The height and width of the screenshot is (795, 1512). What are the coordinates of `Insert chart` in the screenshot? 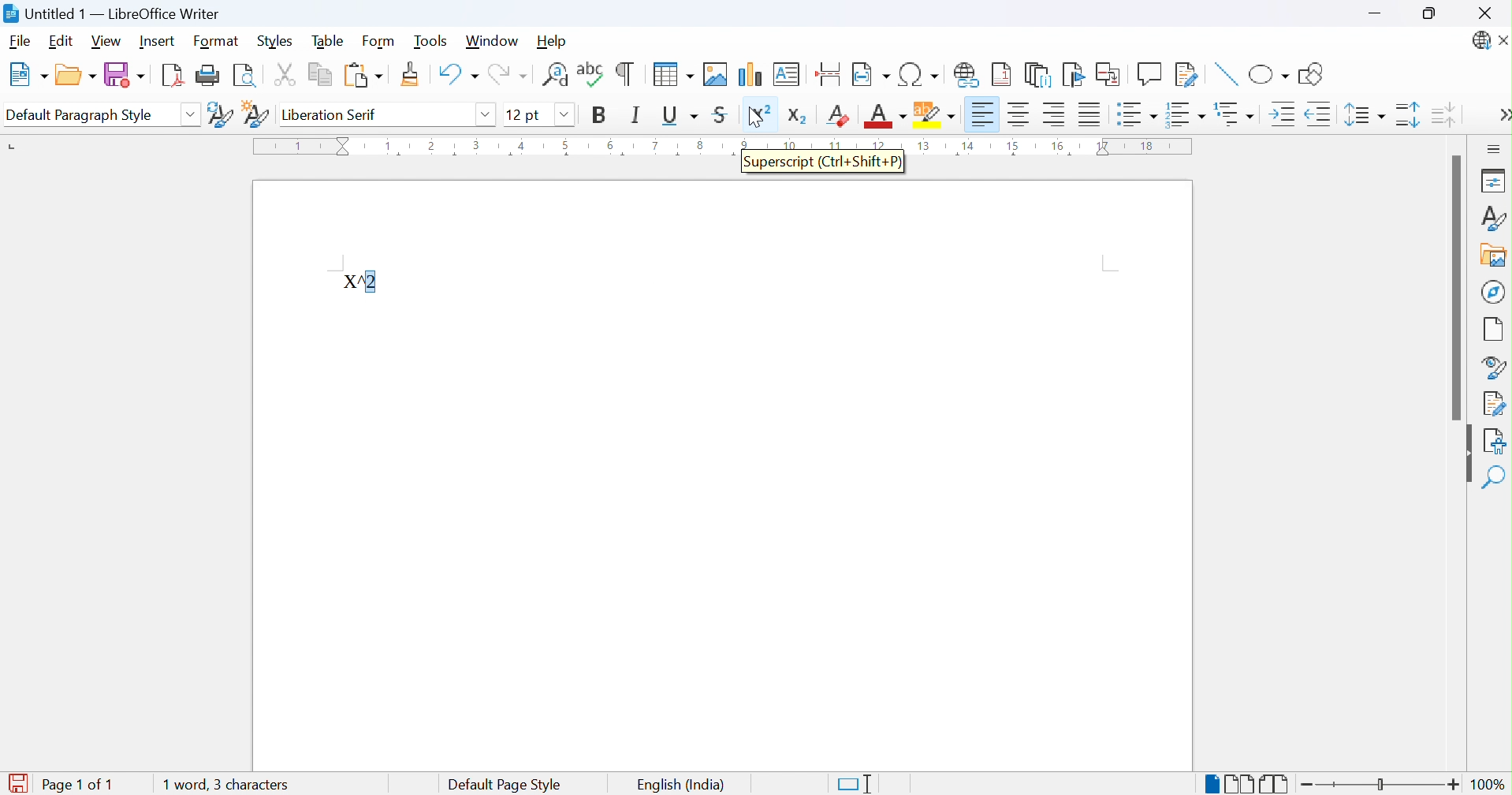 It's located at (750, 75).